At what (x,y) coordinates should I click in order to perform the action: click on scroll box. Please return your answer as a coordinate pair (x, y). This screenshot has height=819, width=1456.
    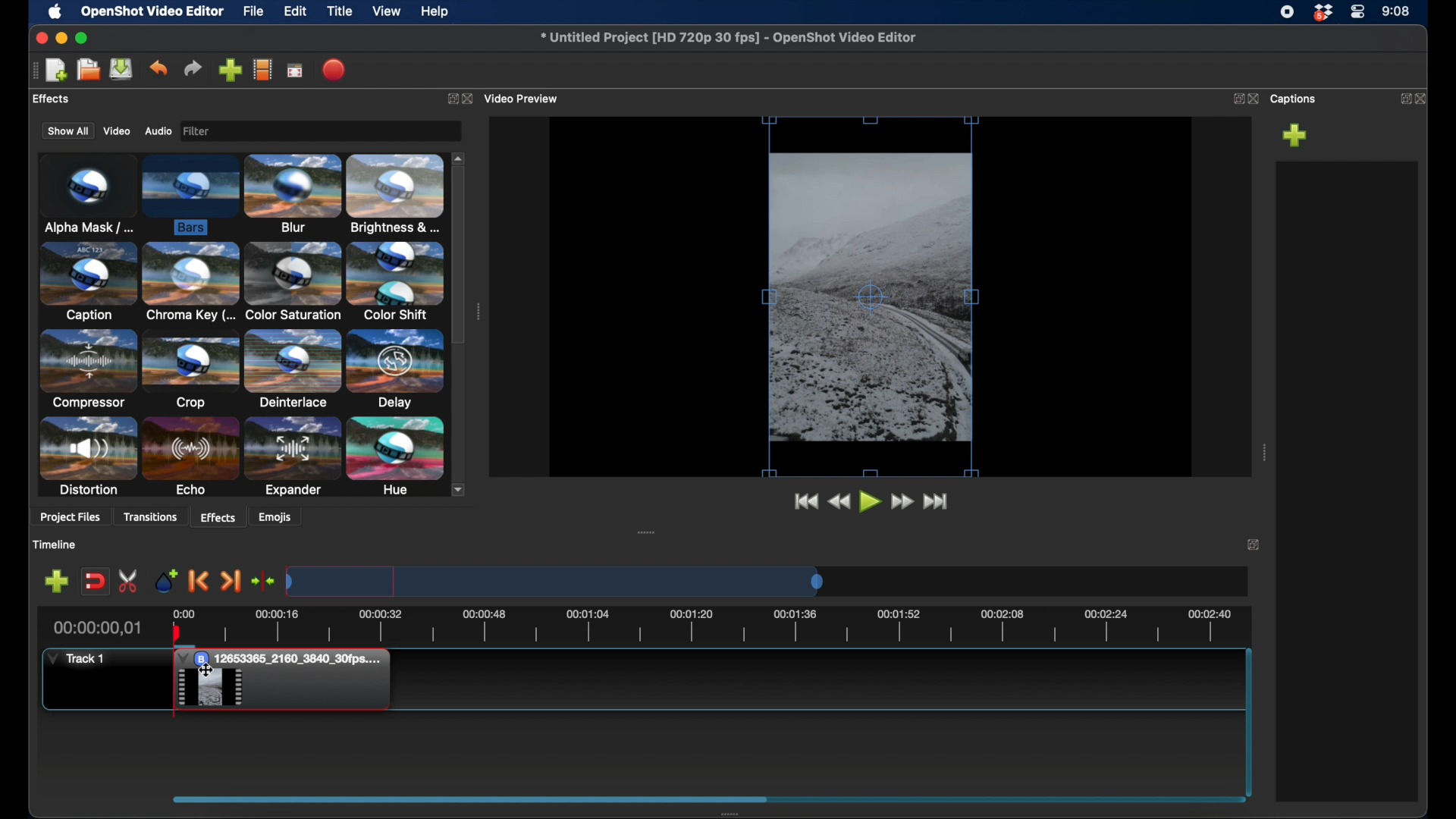
    Looking at the image, I should click on (460, 256).